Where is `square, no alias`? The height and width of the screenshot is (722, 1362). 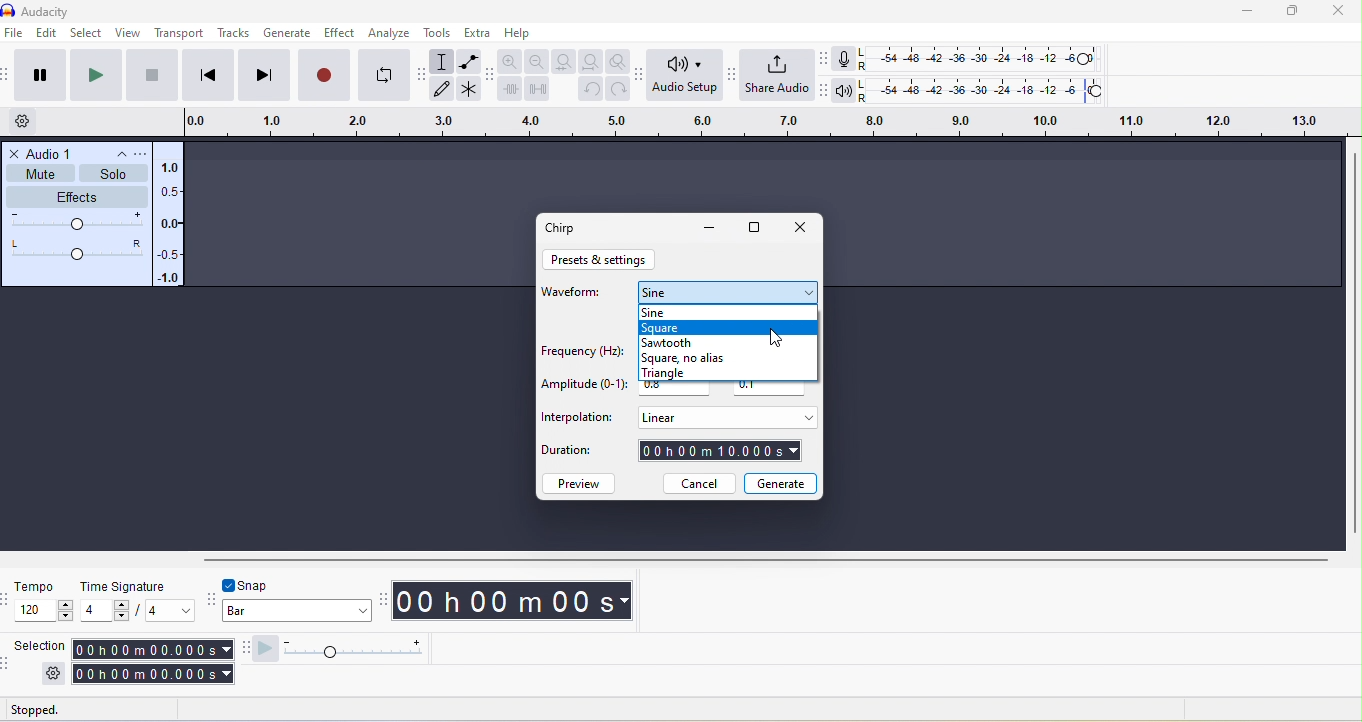
square, no alias is located at coordinates (698, 358).